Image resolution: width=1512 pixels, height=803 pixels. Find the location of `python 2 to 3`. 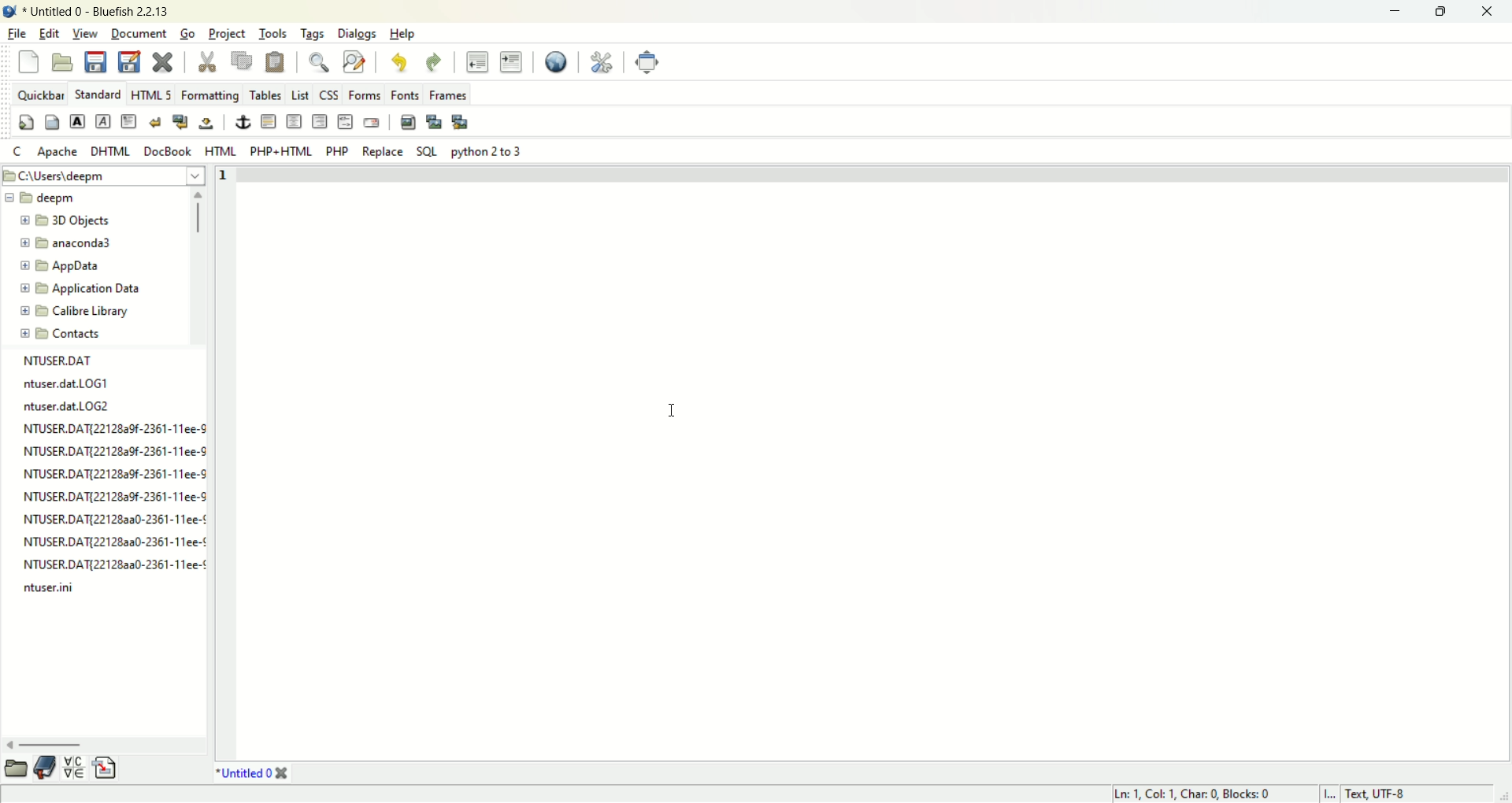

python 2 to 3 is located at coordinates (488, 152).